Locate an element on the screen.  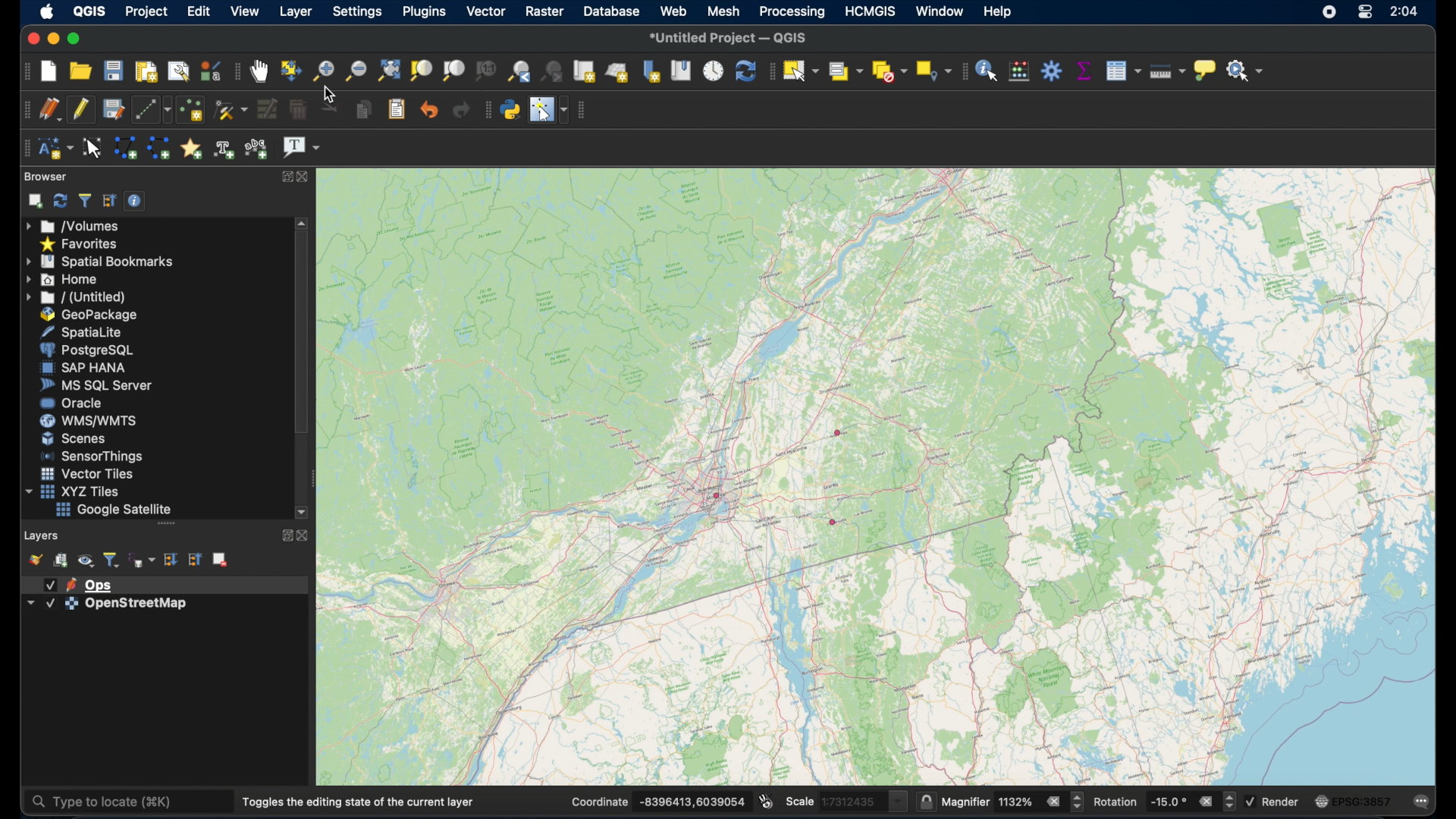
save project is located at coordinates (115, 70).